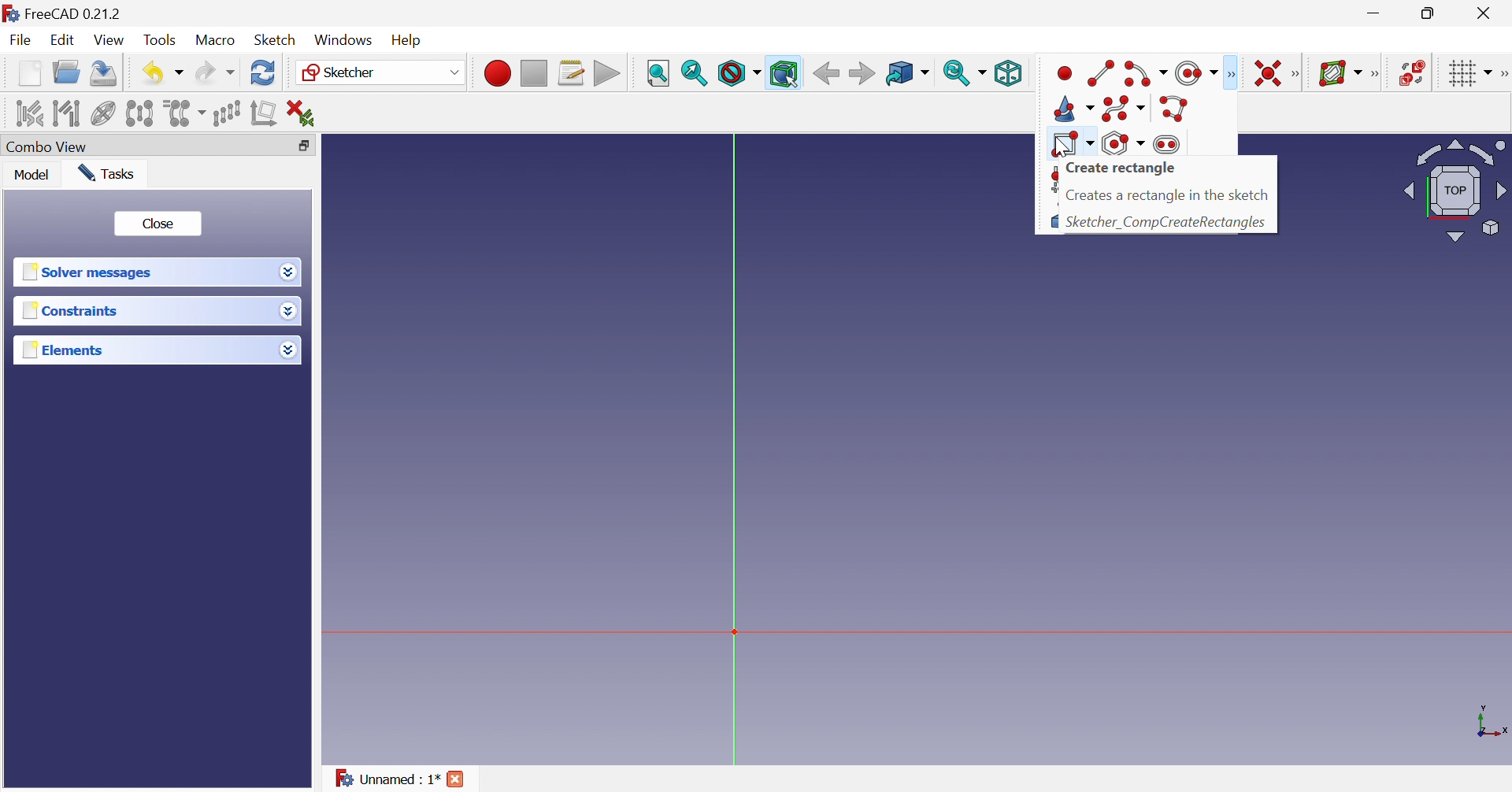  Describe the element at coordinates (1176, 109) in the screenshot. I see `Create polyline` at that location.